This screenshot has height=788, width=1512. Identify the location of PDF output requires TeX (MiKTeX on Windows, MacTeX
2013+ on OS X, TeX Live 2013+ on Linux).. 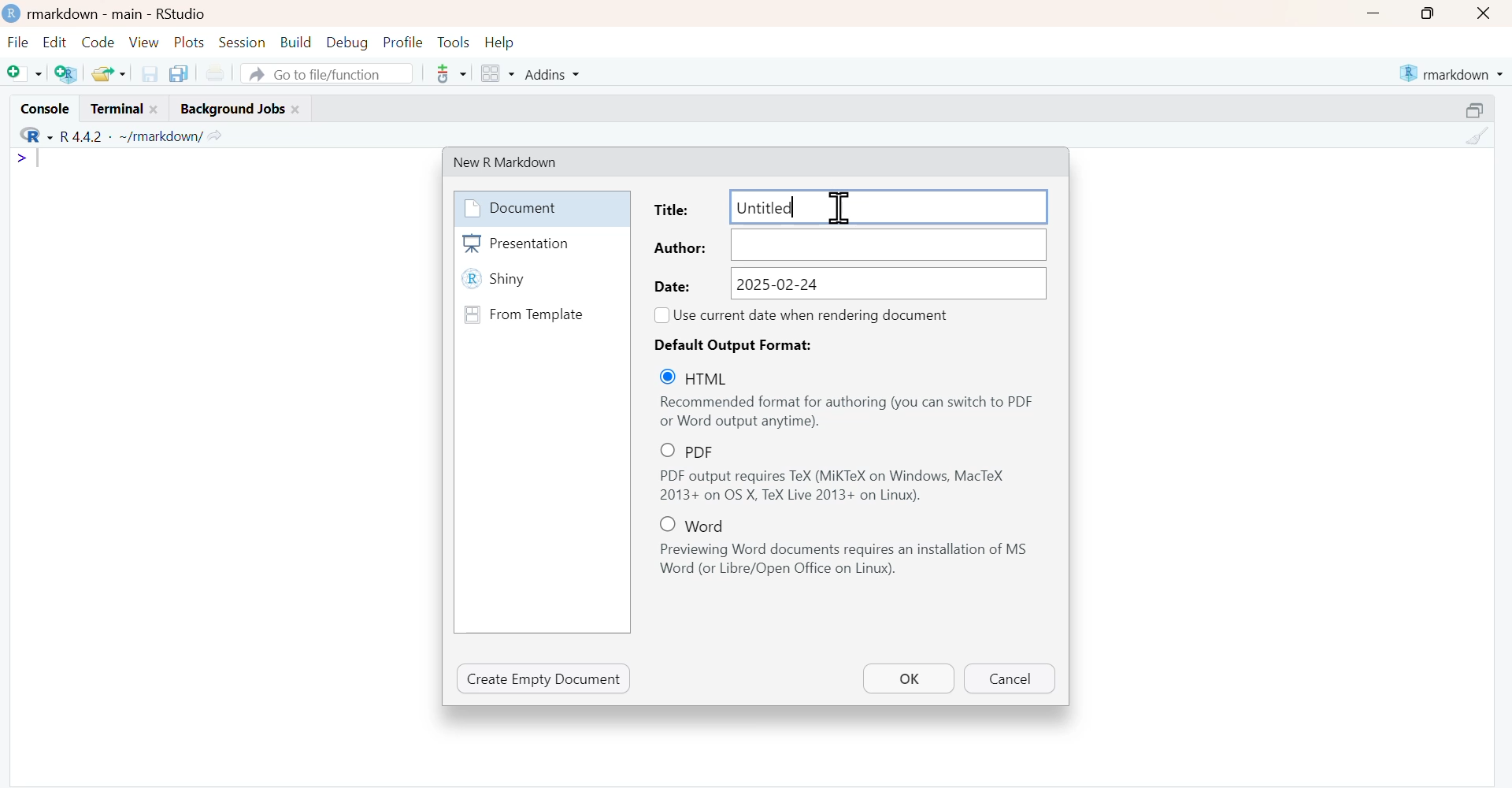
(848, 486).